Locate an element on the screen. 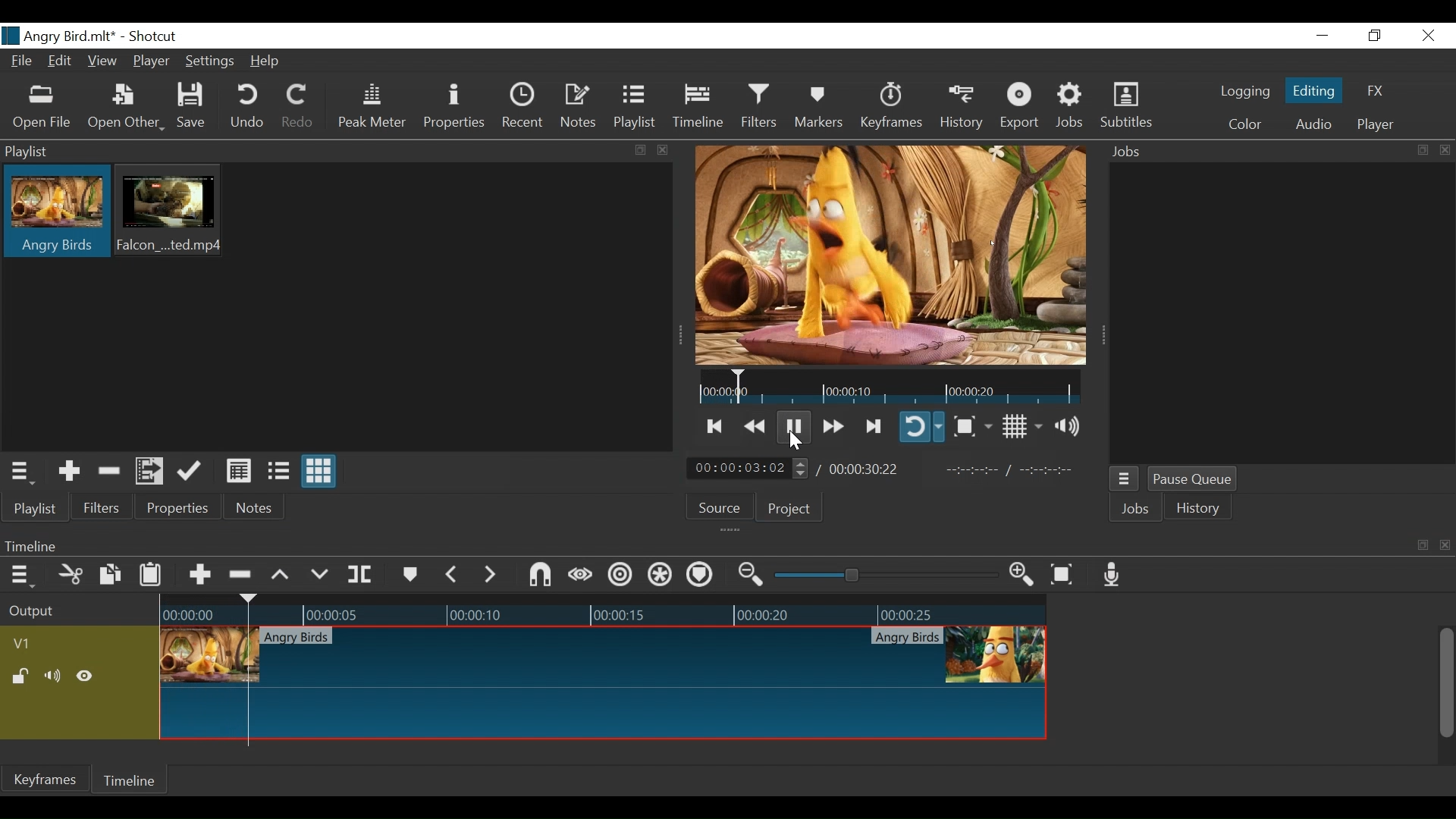 This screenshot has height=819, width=1456. Zoom timeline to fit is located at coordinates (1062, 576).